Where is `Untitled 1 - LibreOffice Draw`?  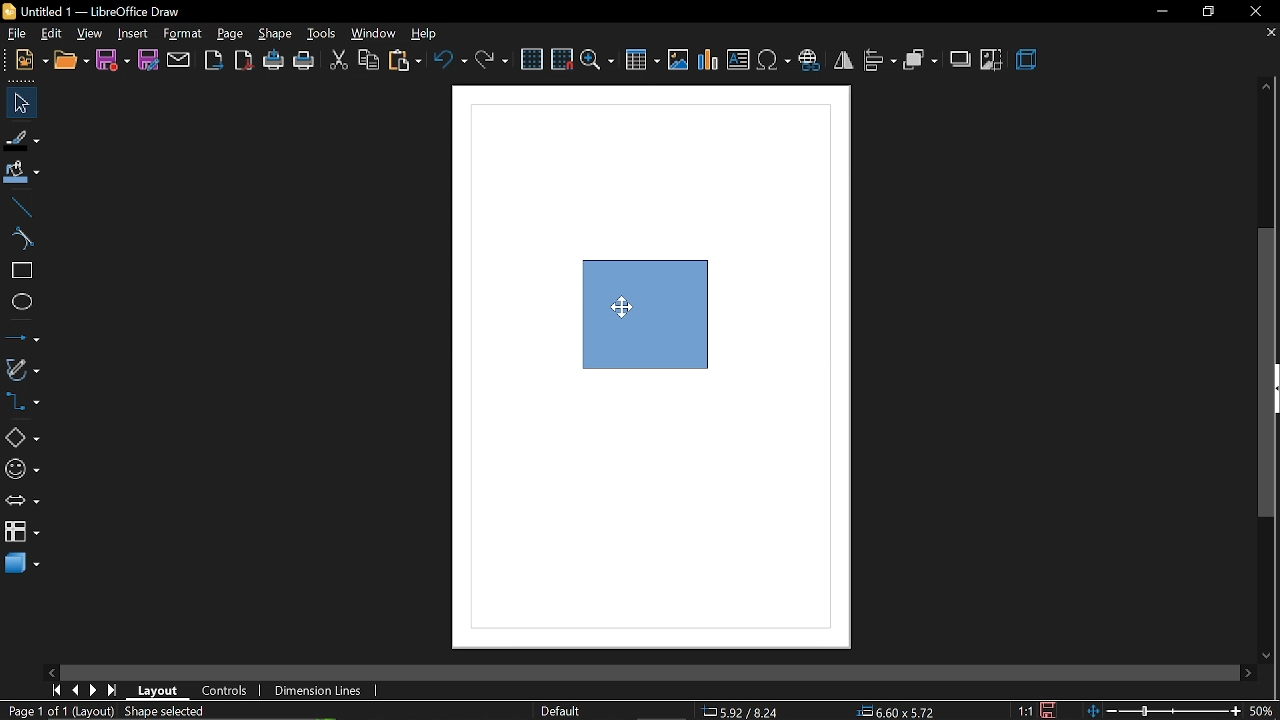
Untitled 1 - LibreOffice Draw is located at coordinates (100, 10).